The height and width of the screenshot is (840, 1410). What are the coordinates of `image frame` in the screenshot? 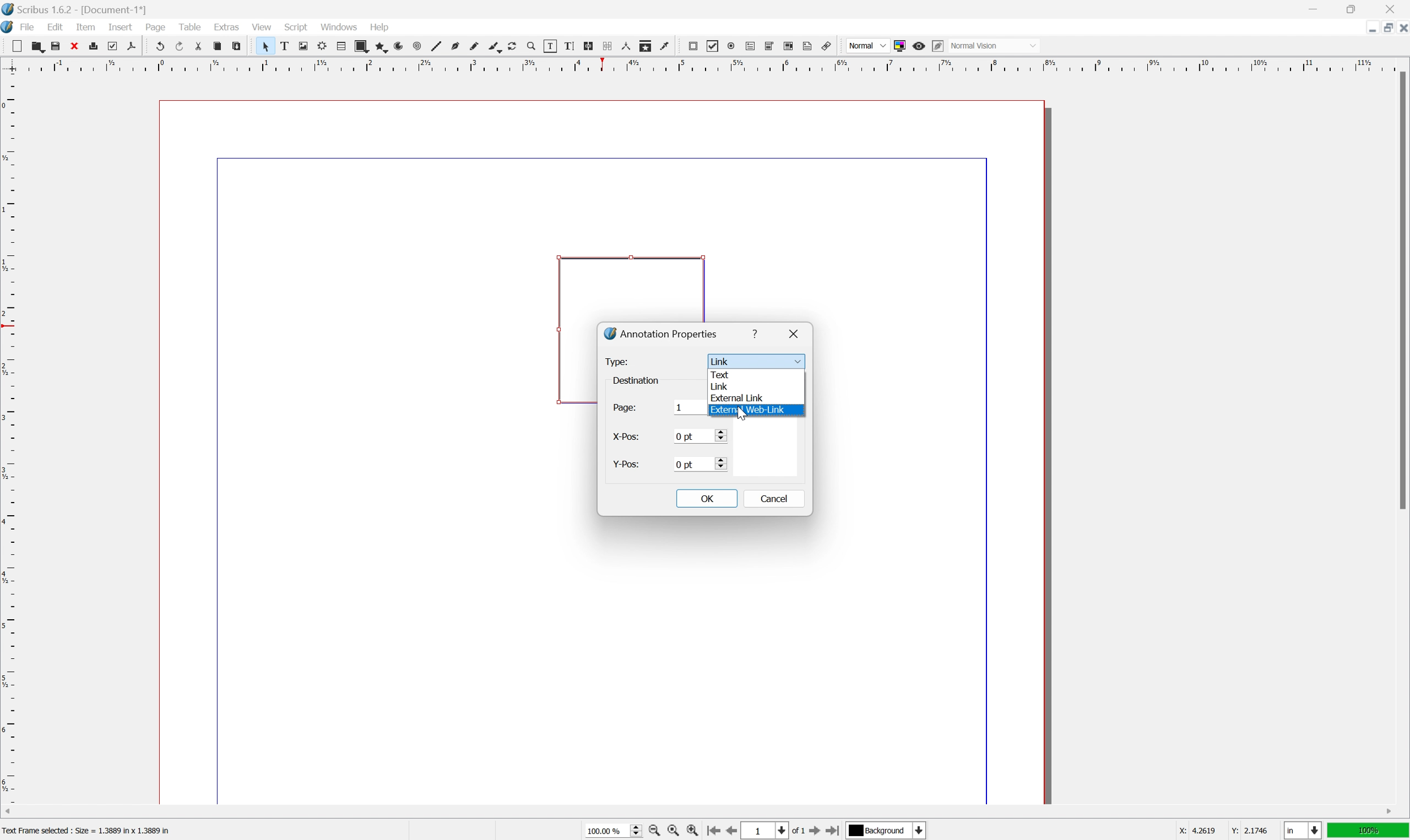 It's located at (303, 46).